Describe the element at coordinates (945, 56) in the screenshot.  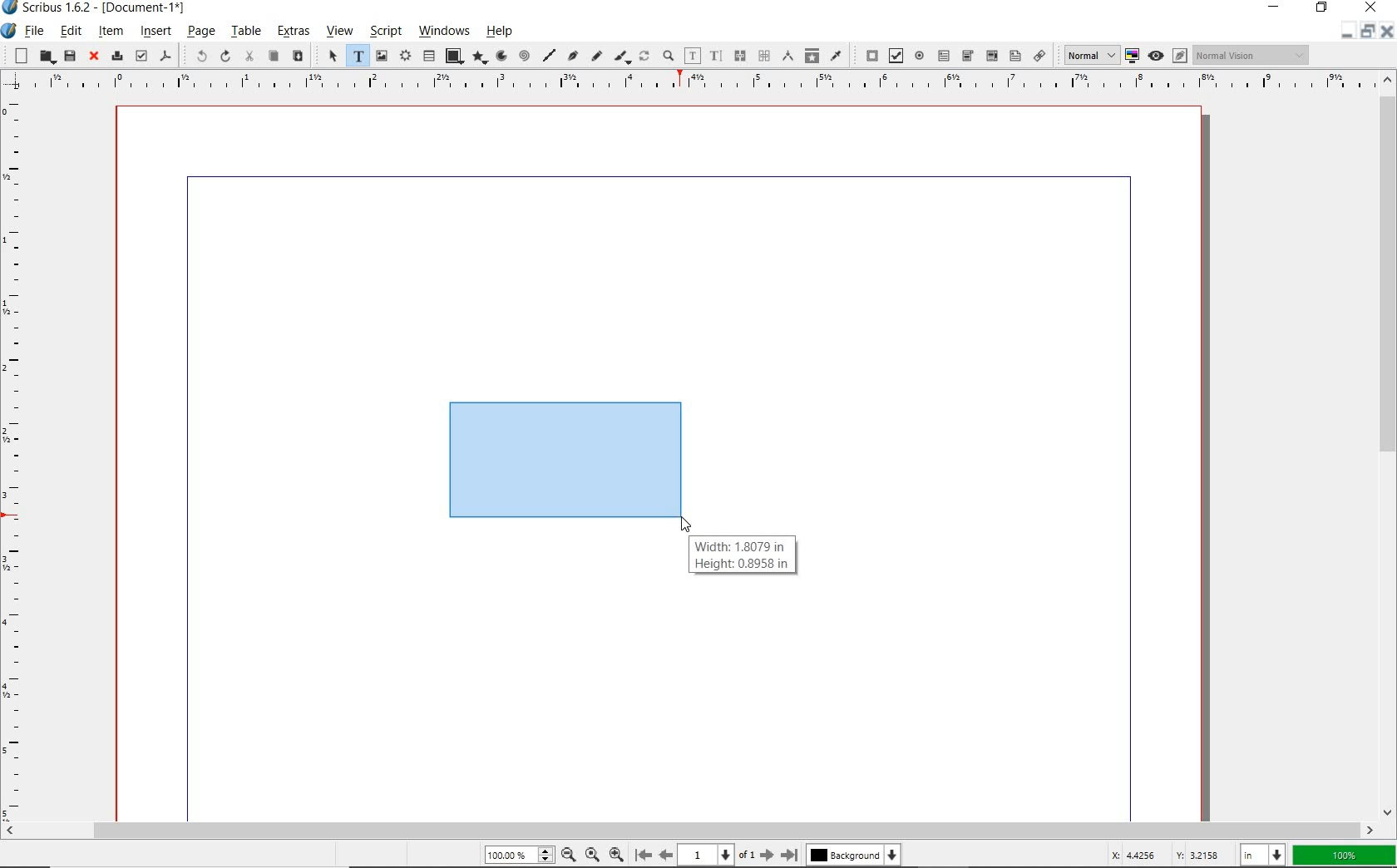
I see `pdf text field` at that location.